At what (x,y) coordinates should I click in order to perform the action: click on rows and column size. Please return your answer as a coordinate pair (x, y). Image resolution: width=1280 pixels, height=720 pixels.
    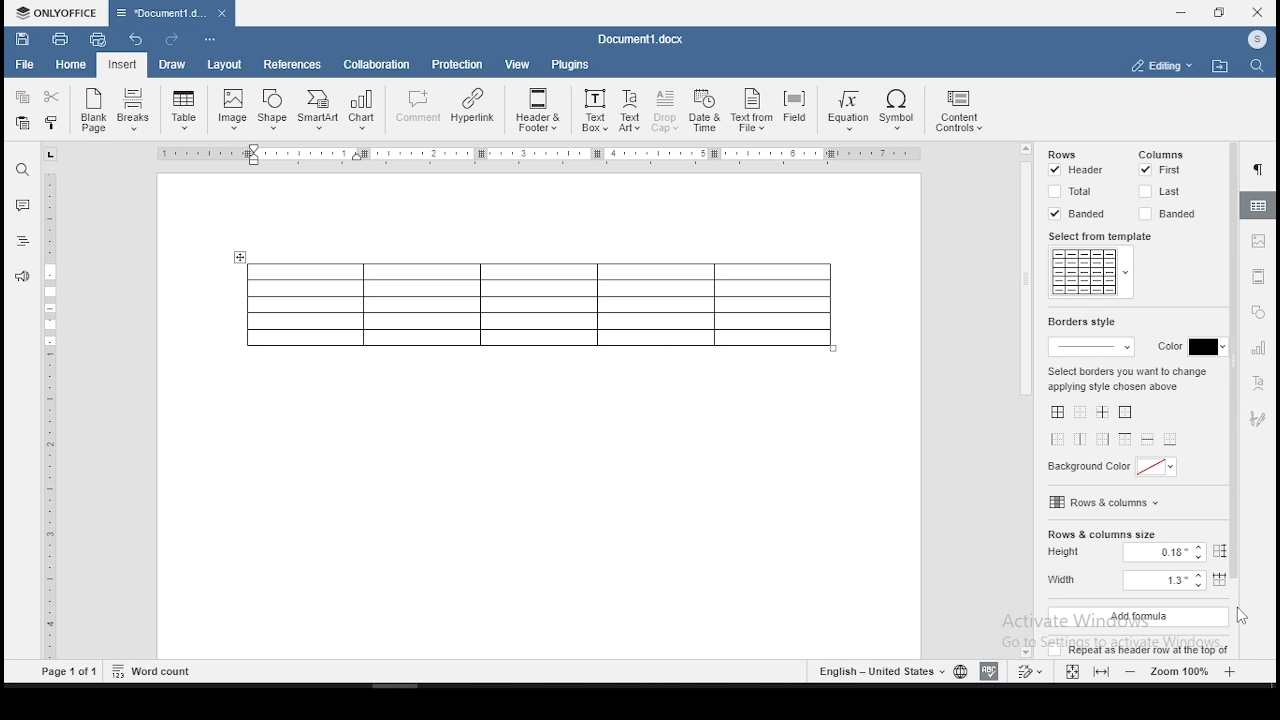
    Looking at the image, I should click on (1103, 534).